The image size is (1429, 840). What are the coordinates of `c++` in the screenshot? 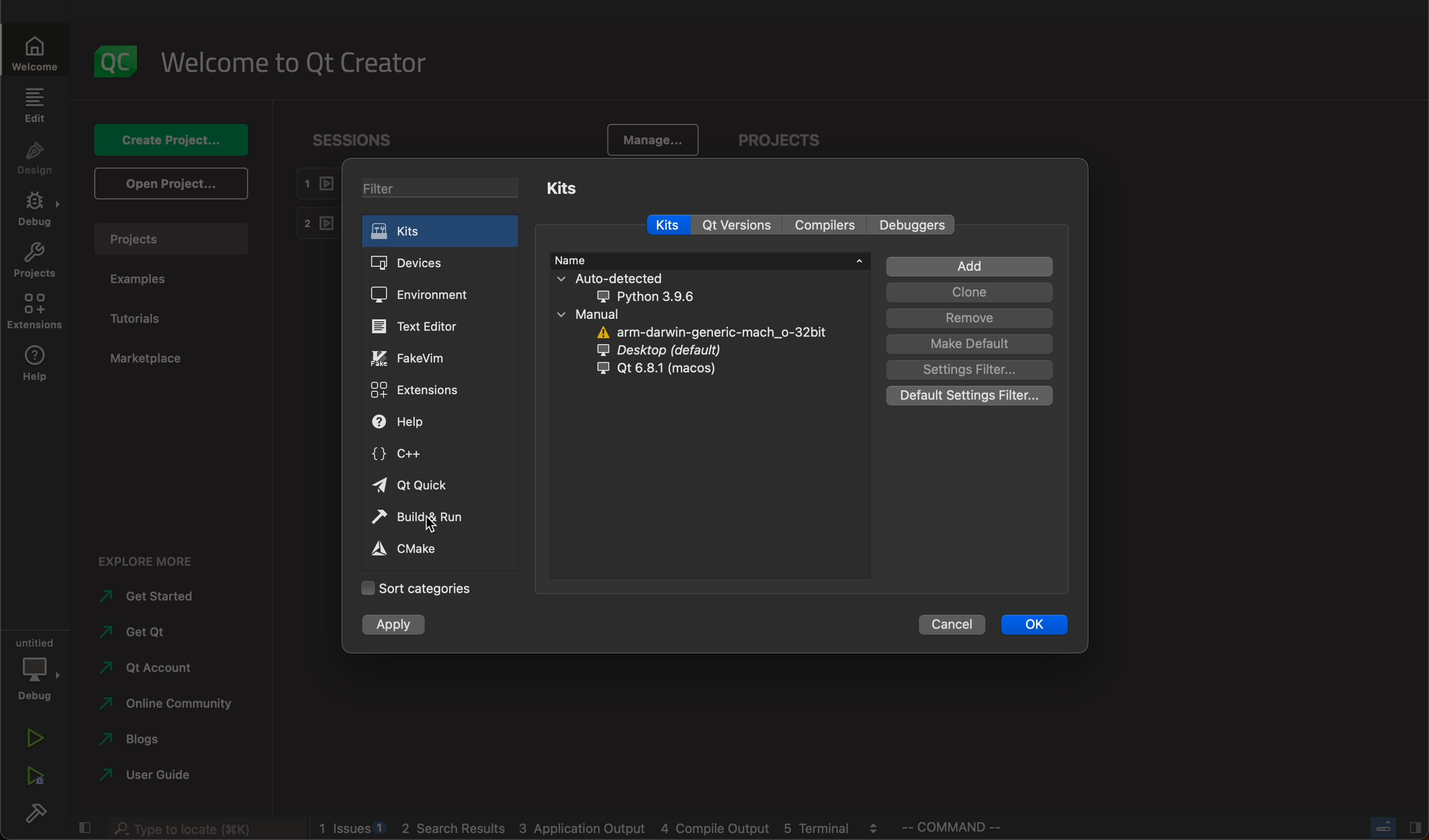 It's located at (424, 453).